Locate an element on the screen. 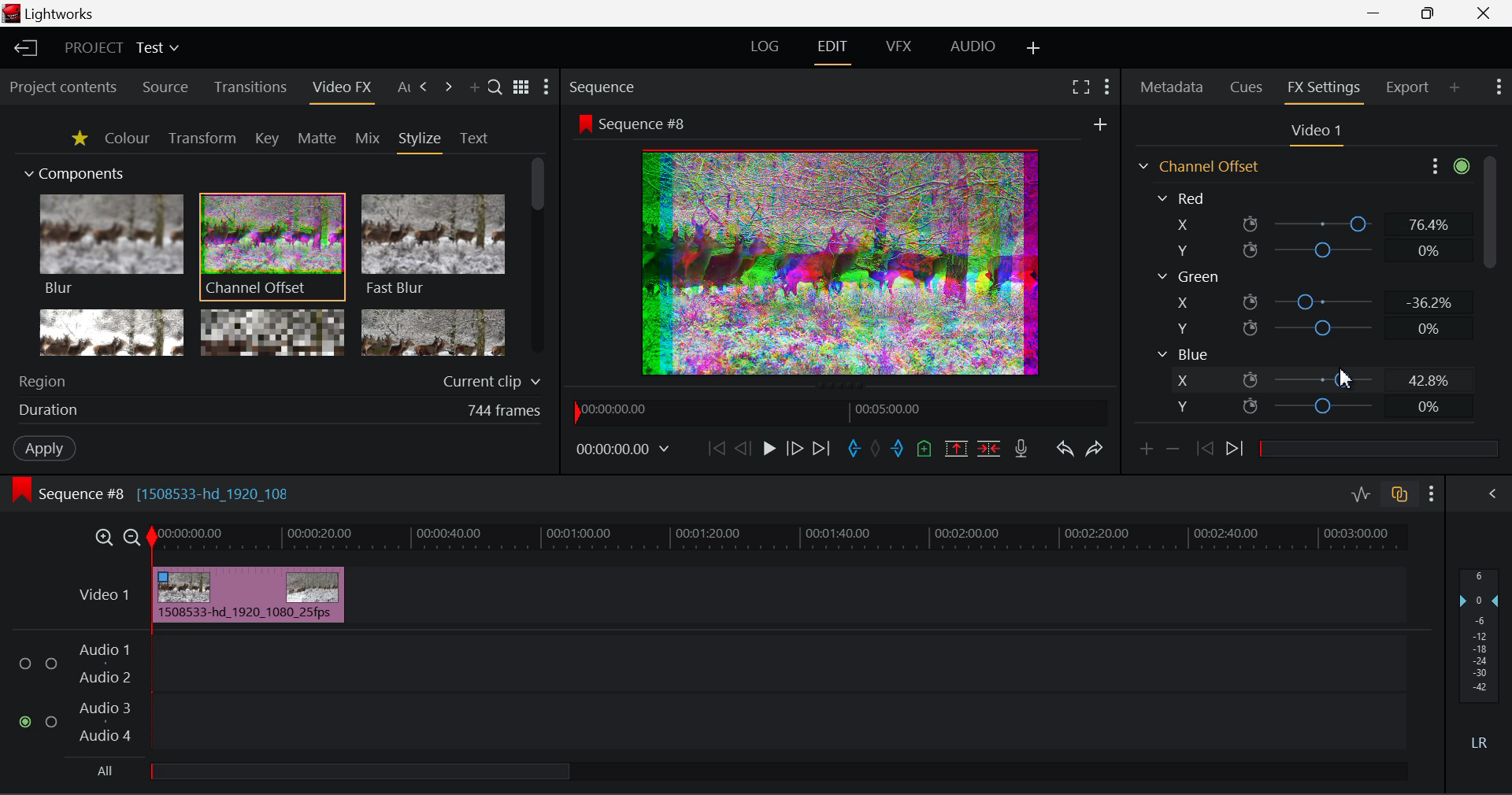  Region is located at coordinates (283, 379).